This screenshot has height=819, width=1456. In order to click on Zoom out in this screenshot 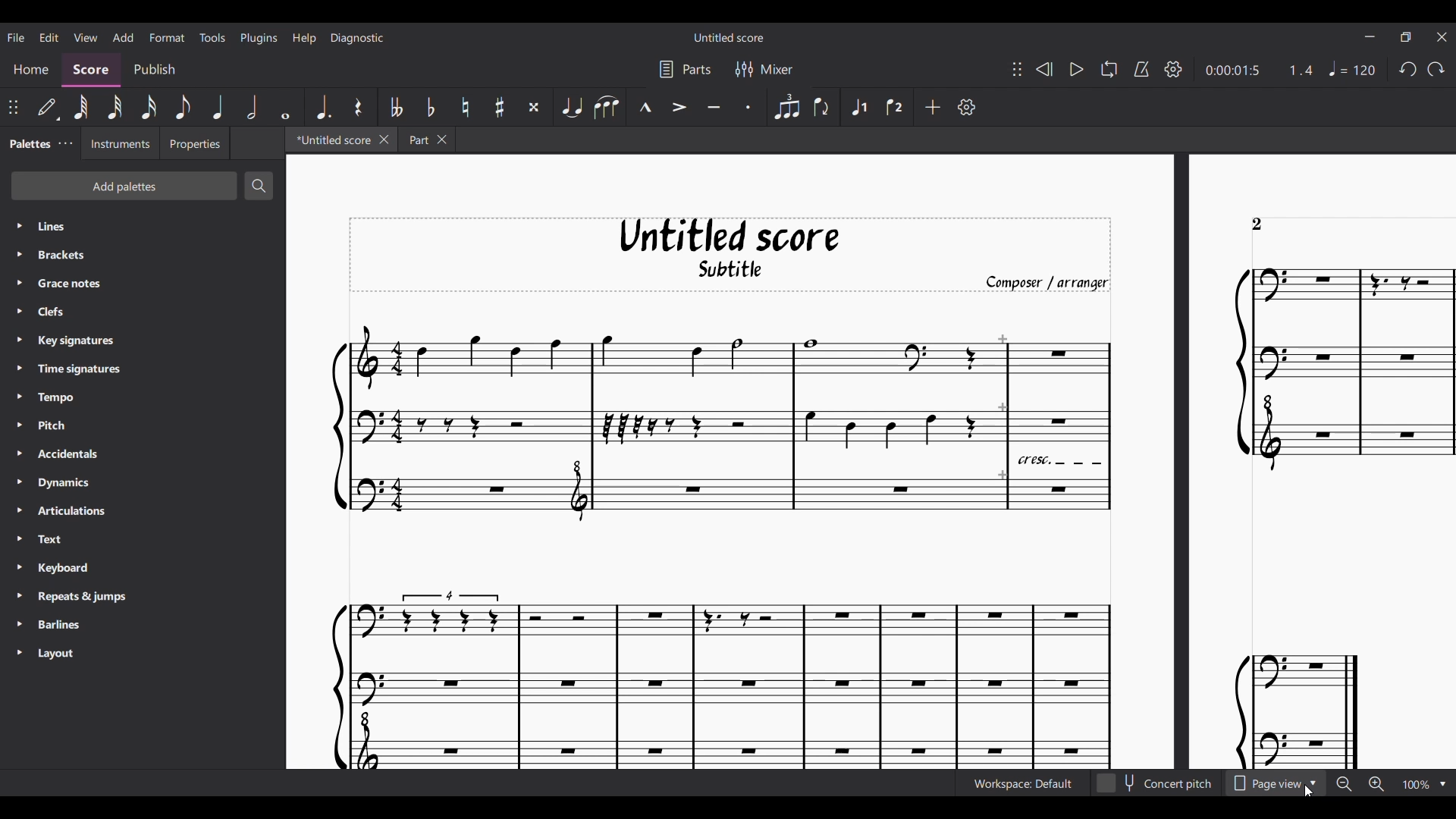, I will do `click(1344, 785)`.